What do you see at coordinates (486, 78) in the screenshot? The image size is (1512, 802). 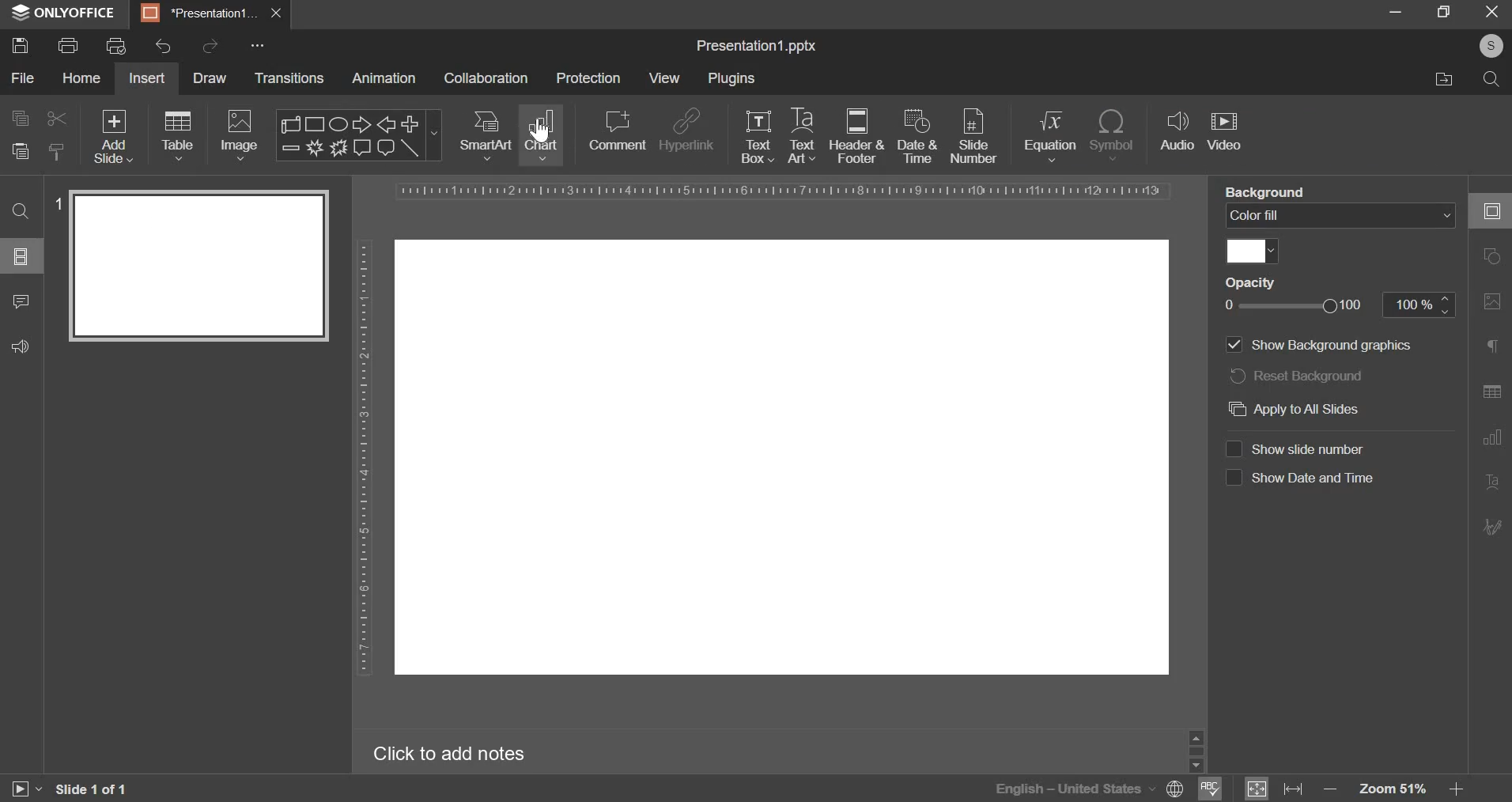 I see `collaboration` at bounding box center [486, 78].